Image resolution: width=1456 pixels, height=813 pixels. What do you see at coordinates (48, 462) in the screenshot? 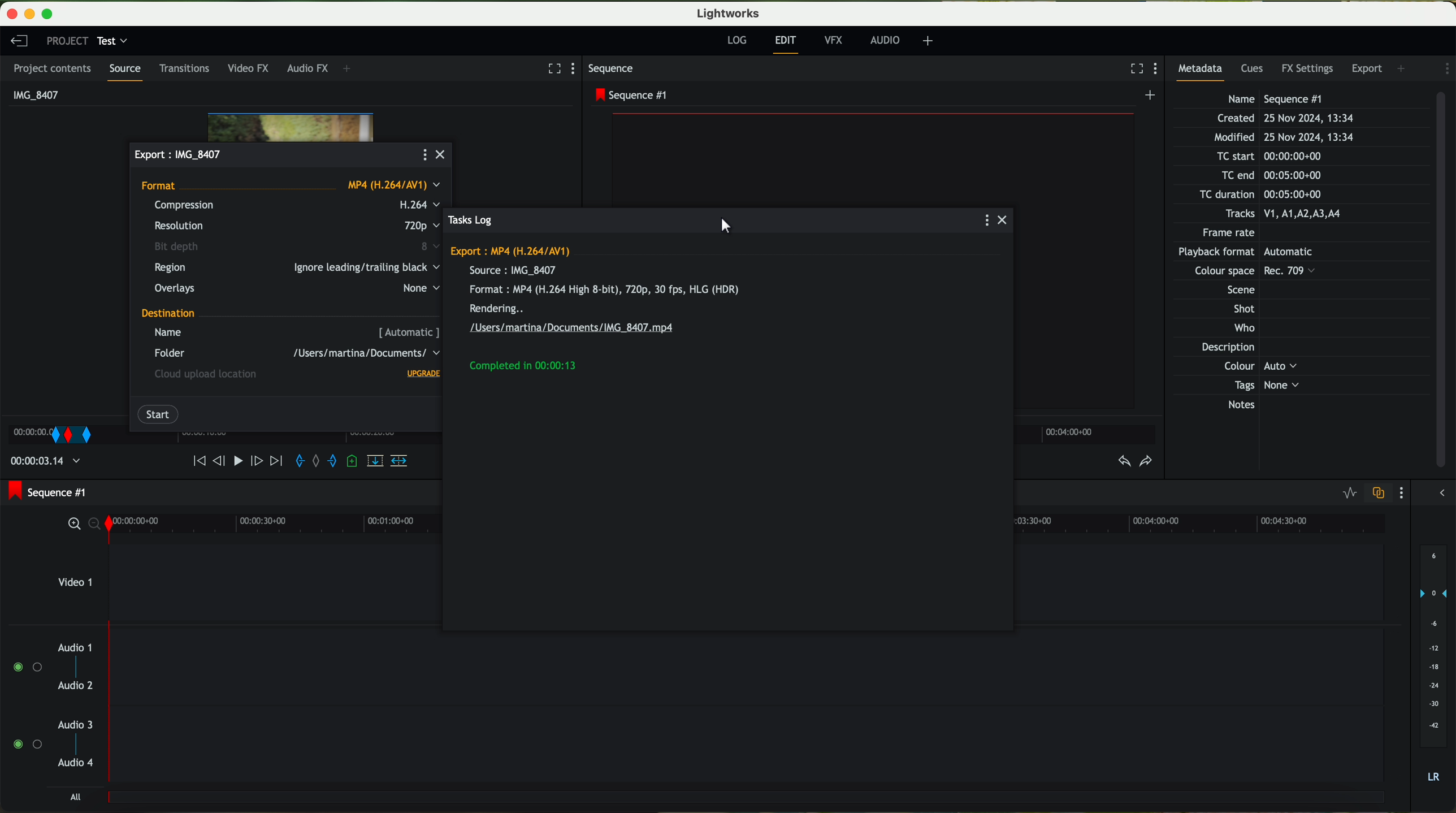
I see `time` at bounding box center [48, 462].